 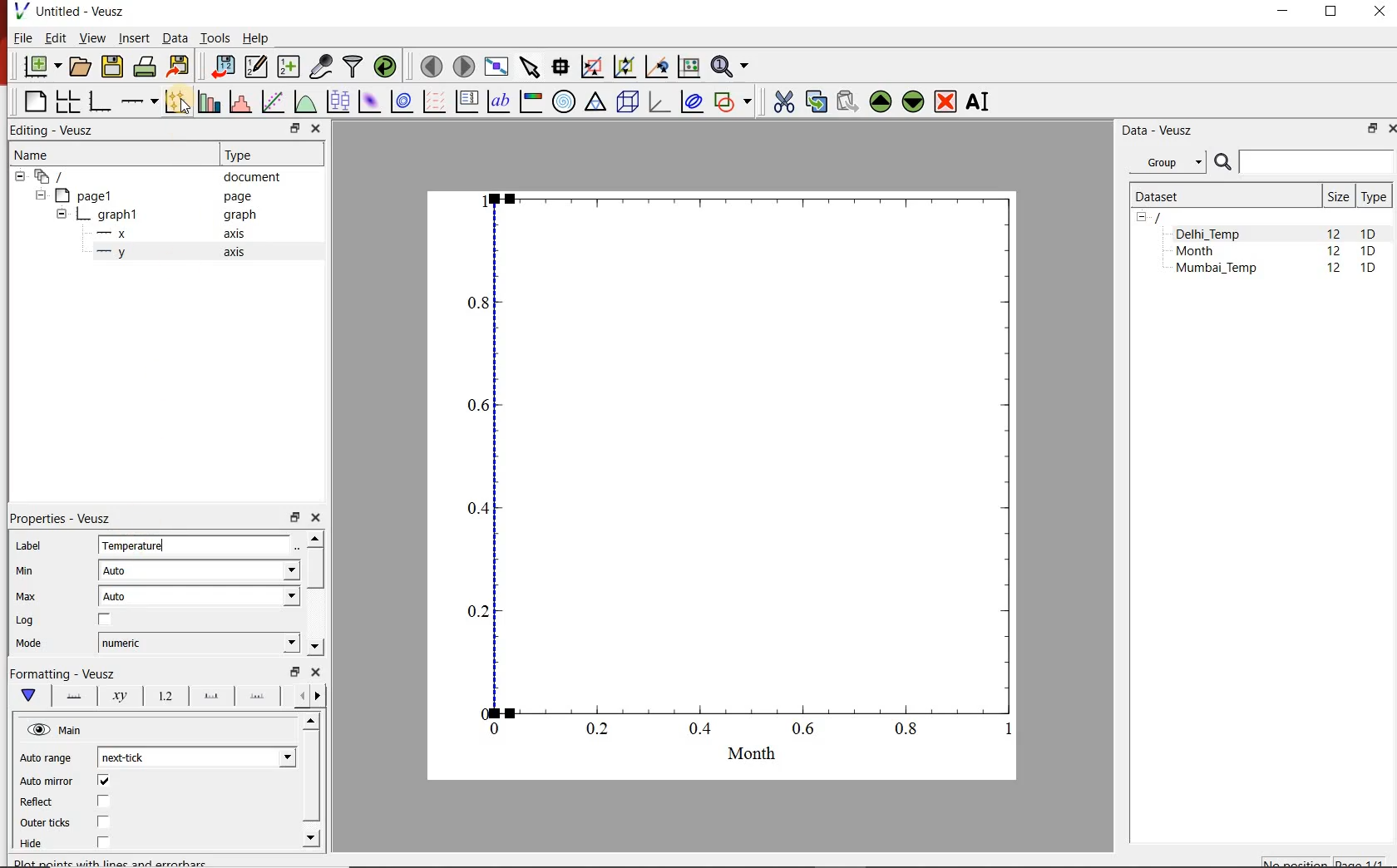 I want to click on plot a 2d dataset as contours, so click(x=402, y=102).